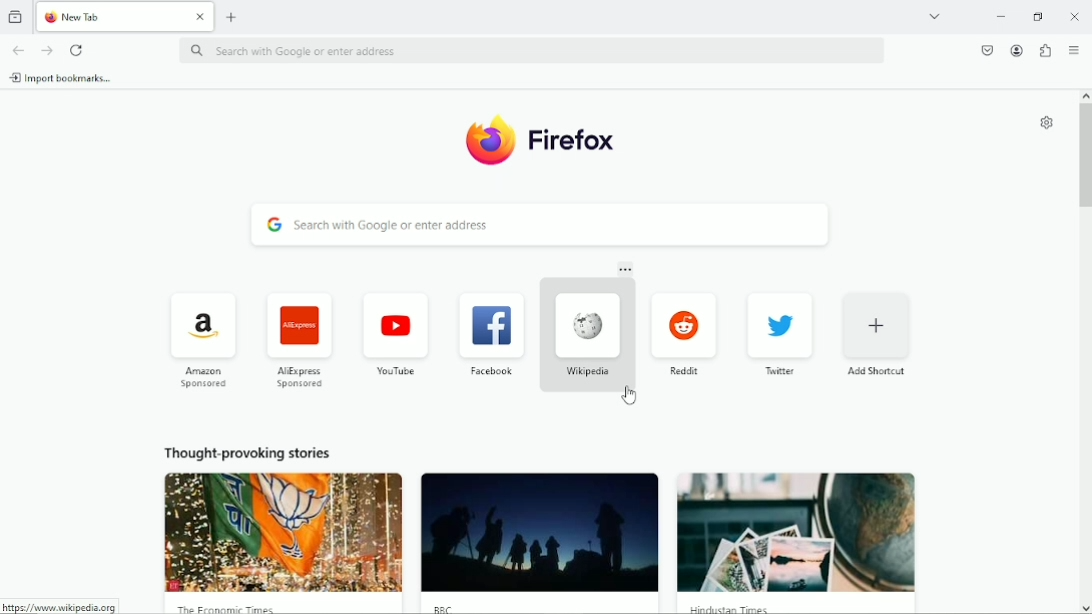 The height and width of the screenshot is (614, 1092). What do you see at coordinates (487, 138) in the screenshot?
I see `Logo` at bounding box center [487, 138].